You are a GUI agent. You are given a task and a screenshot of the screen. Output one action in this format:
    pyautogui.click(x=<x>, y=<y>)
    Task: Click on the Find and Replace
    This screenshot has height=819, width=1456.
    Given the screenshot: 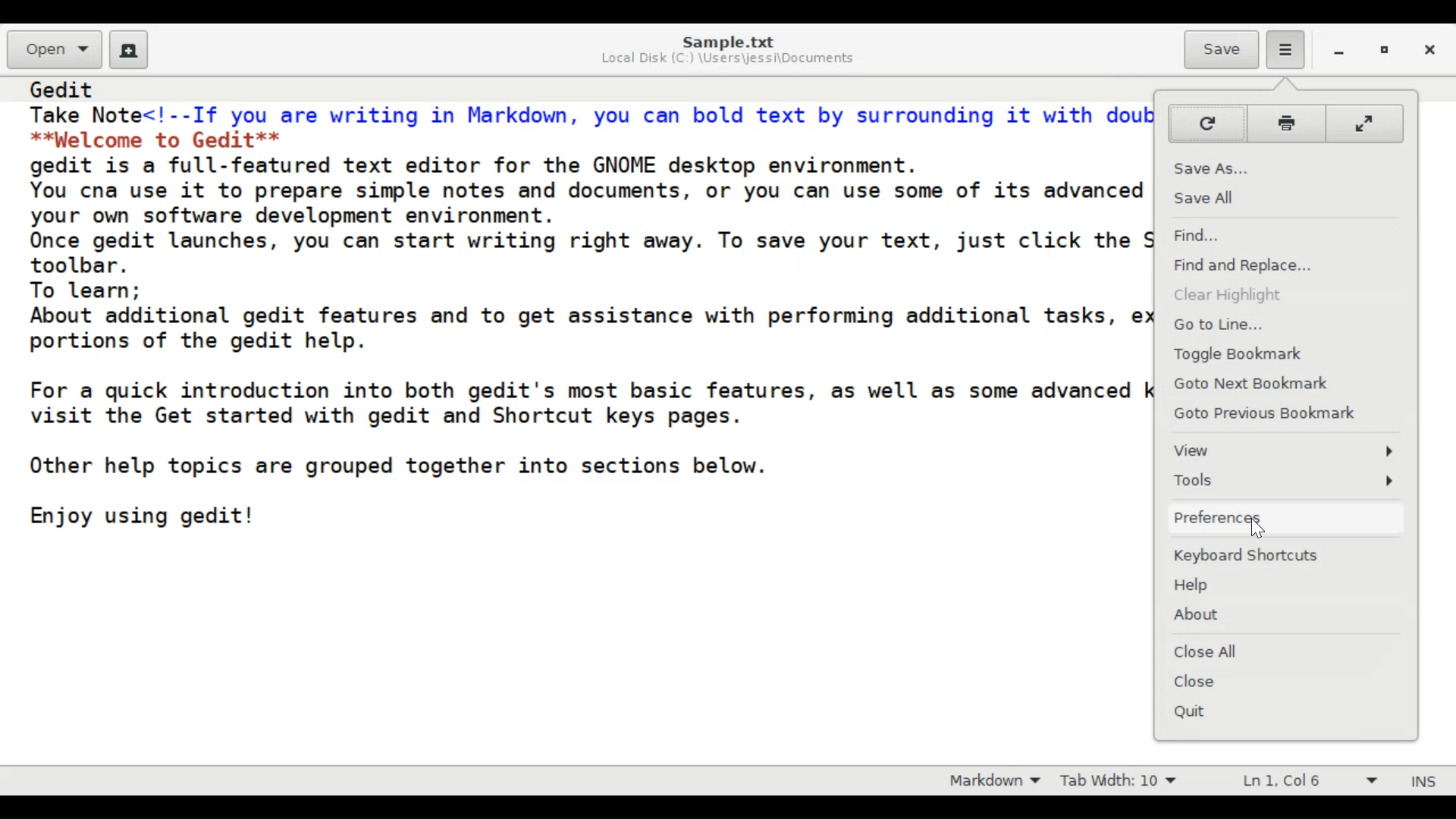 What is the action you would take?
    pyautogui.click(x=1252, y=265)
    